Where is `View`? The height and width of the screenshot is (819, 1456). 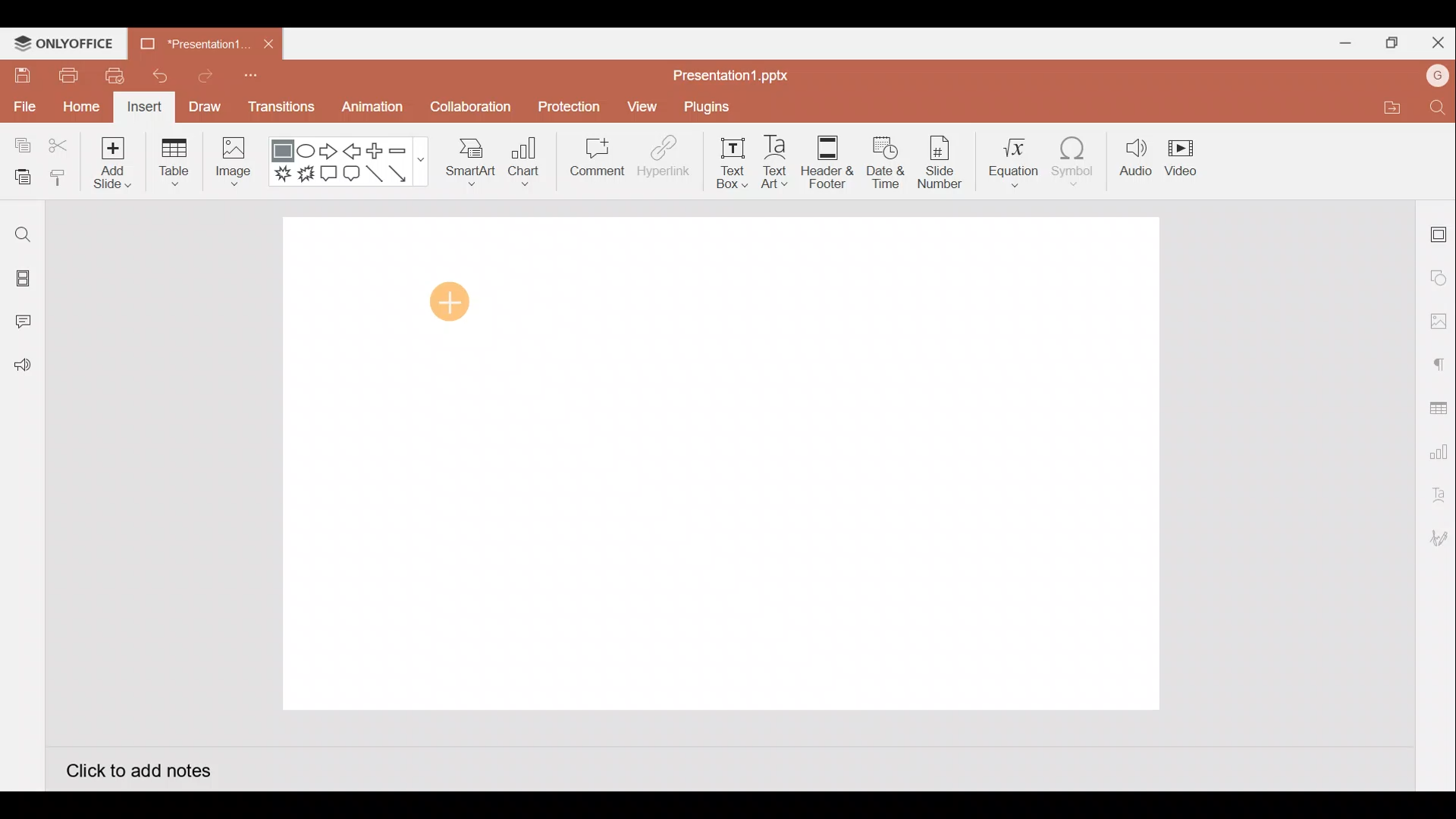
View is located at coordinates (645, 103).